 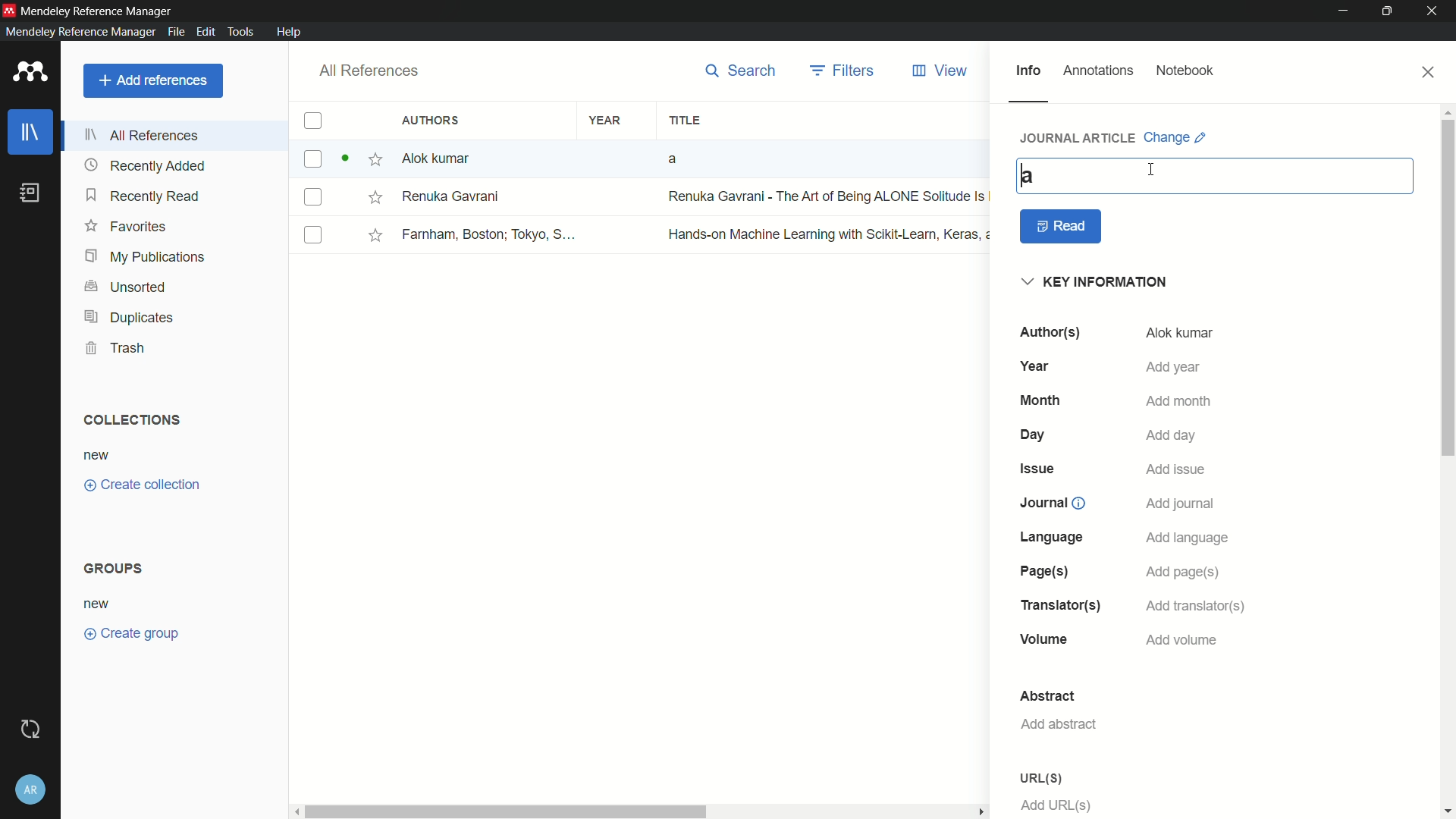 I want to click on collections, so click(x=130, y=420).